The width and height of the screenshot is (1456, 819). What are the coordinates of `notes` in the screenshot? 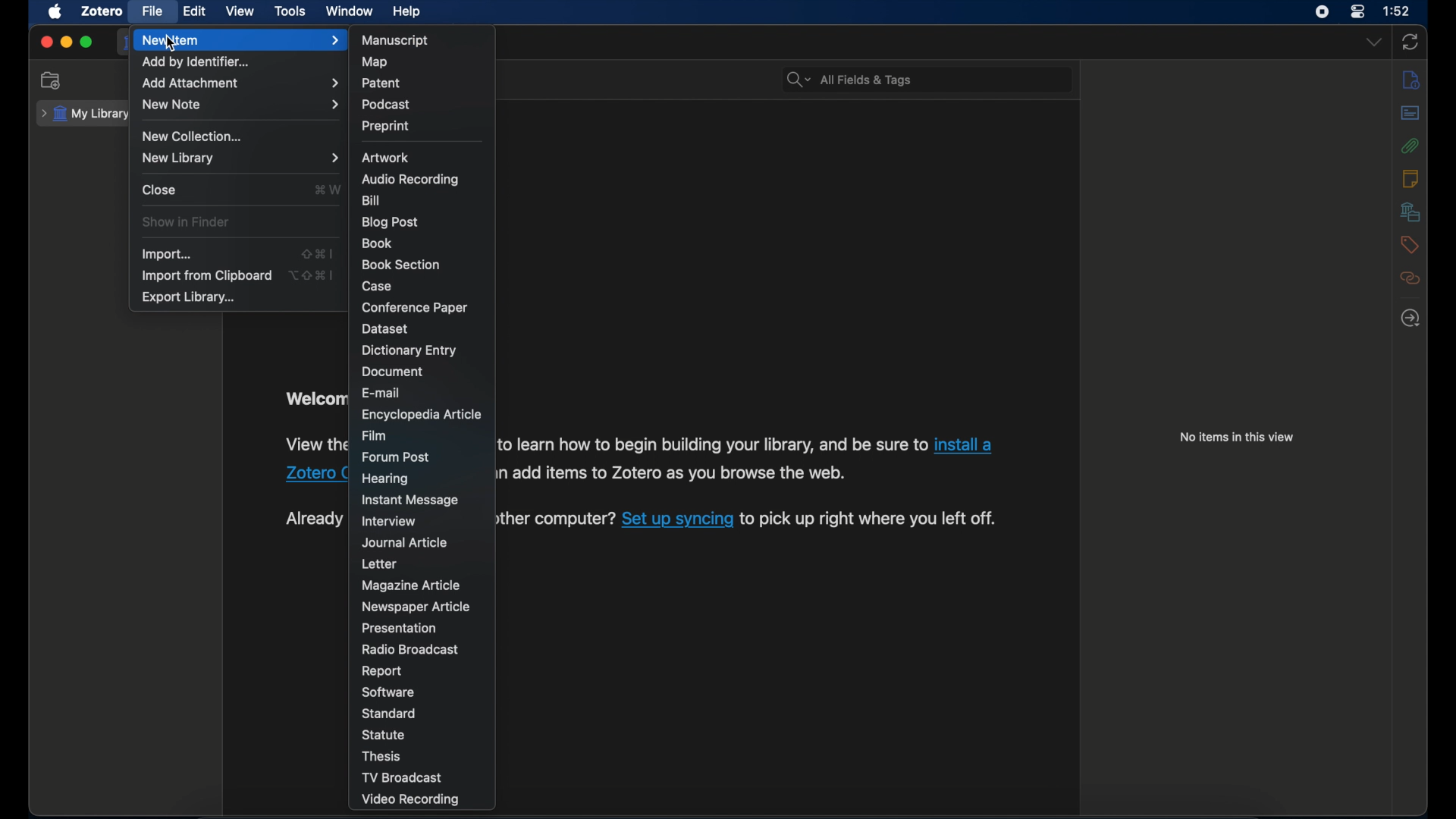 It's located at (1410, 179).